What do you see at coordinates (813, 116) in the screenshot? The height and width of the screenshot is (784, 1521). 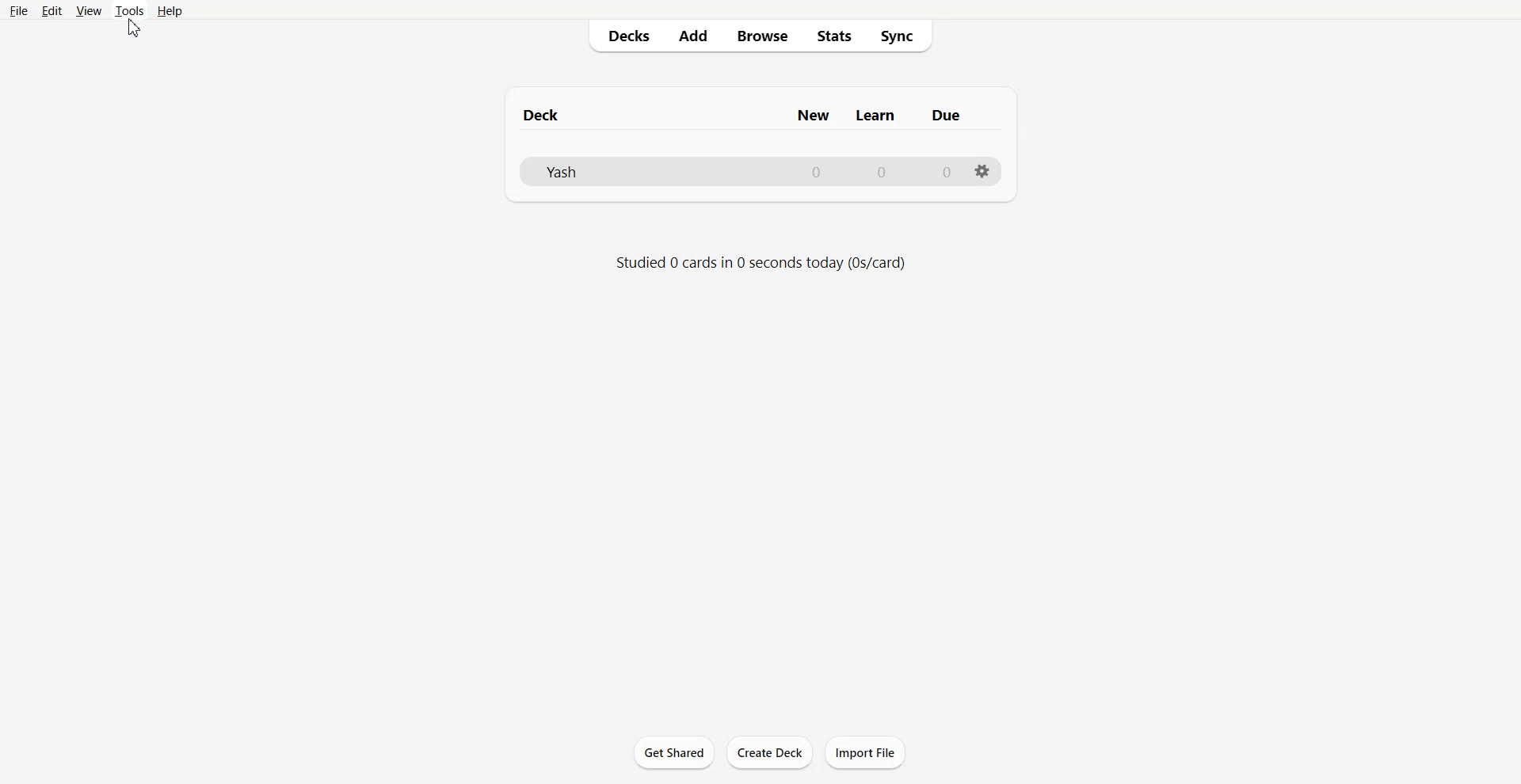 I see `Column name` at bounding box center [813, 116].